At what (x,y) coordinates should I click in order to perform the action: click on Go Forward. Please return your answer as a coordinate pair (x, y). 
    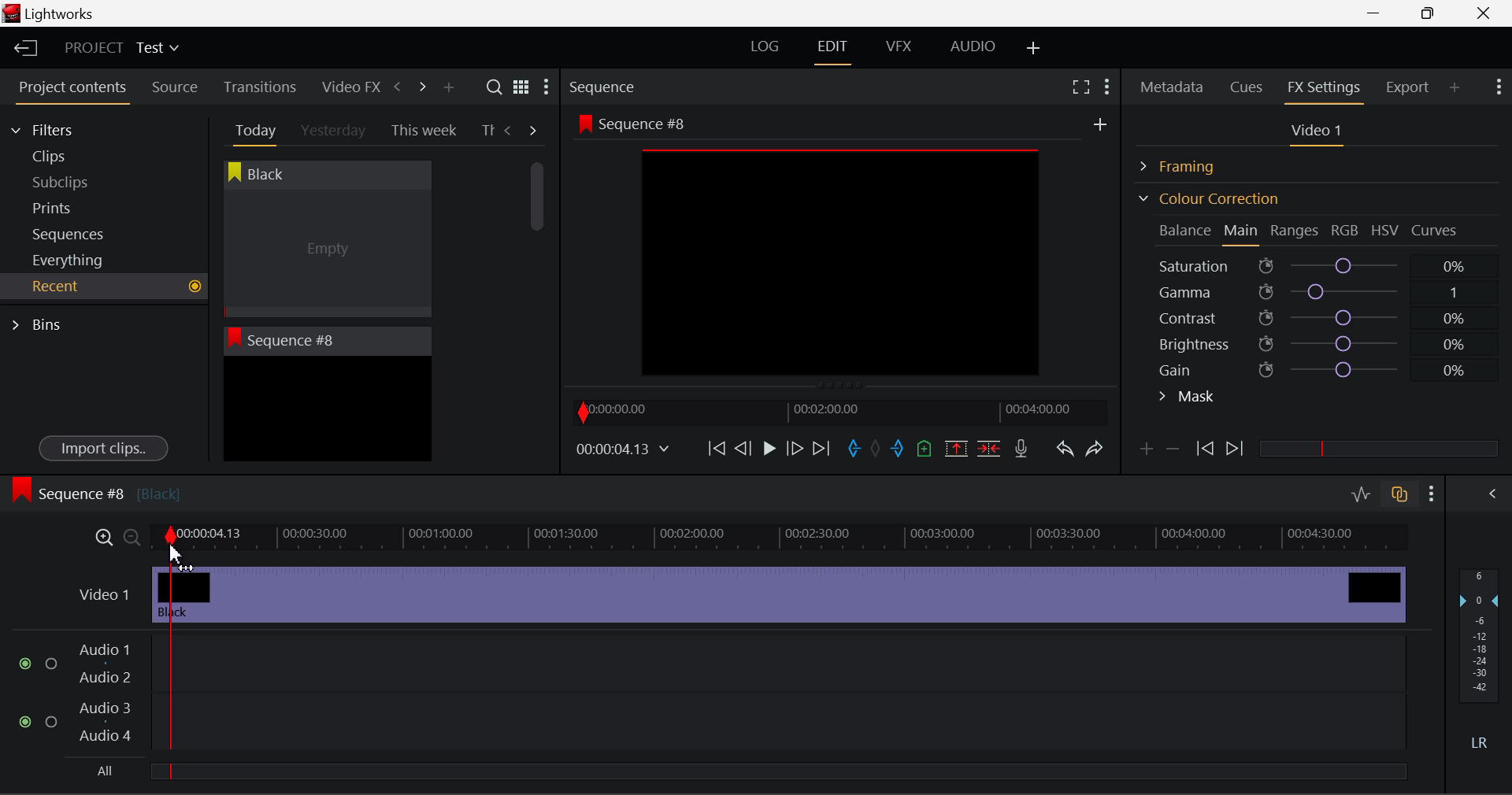
    Looking at the image, I should click on (795, 448).